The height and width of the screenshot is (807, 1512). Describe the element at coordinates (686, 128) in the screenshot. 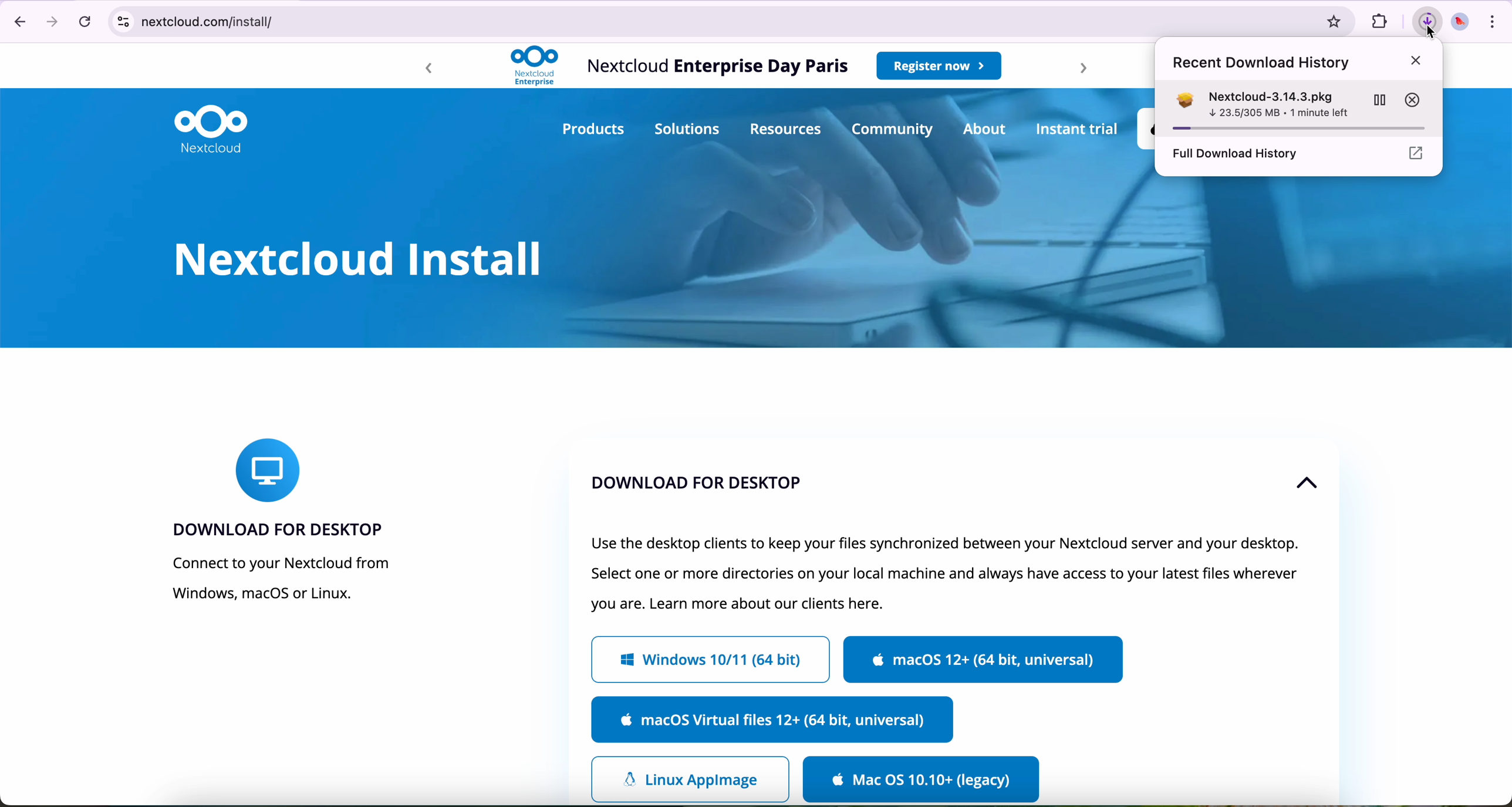

I see `solutions` at that location.